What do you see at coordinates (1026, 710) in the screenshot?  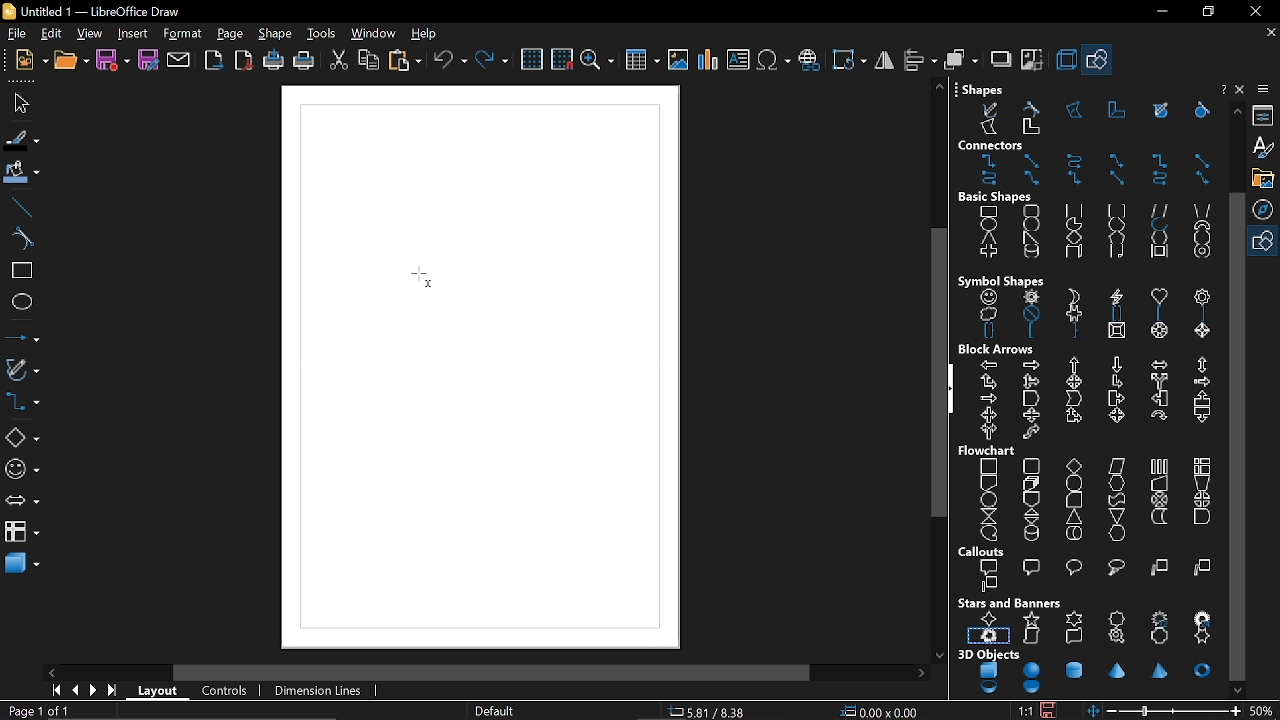 I see `scaling factor (1:1)` at bounding box center [1026, 710].